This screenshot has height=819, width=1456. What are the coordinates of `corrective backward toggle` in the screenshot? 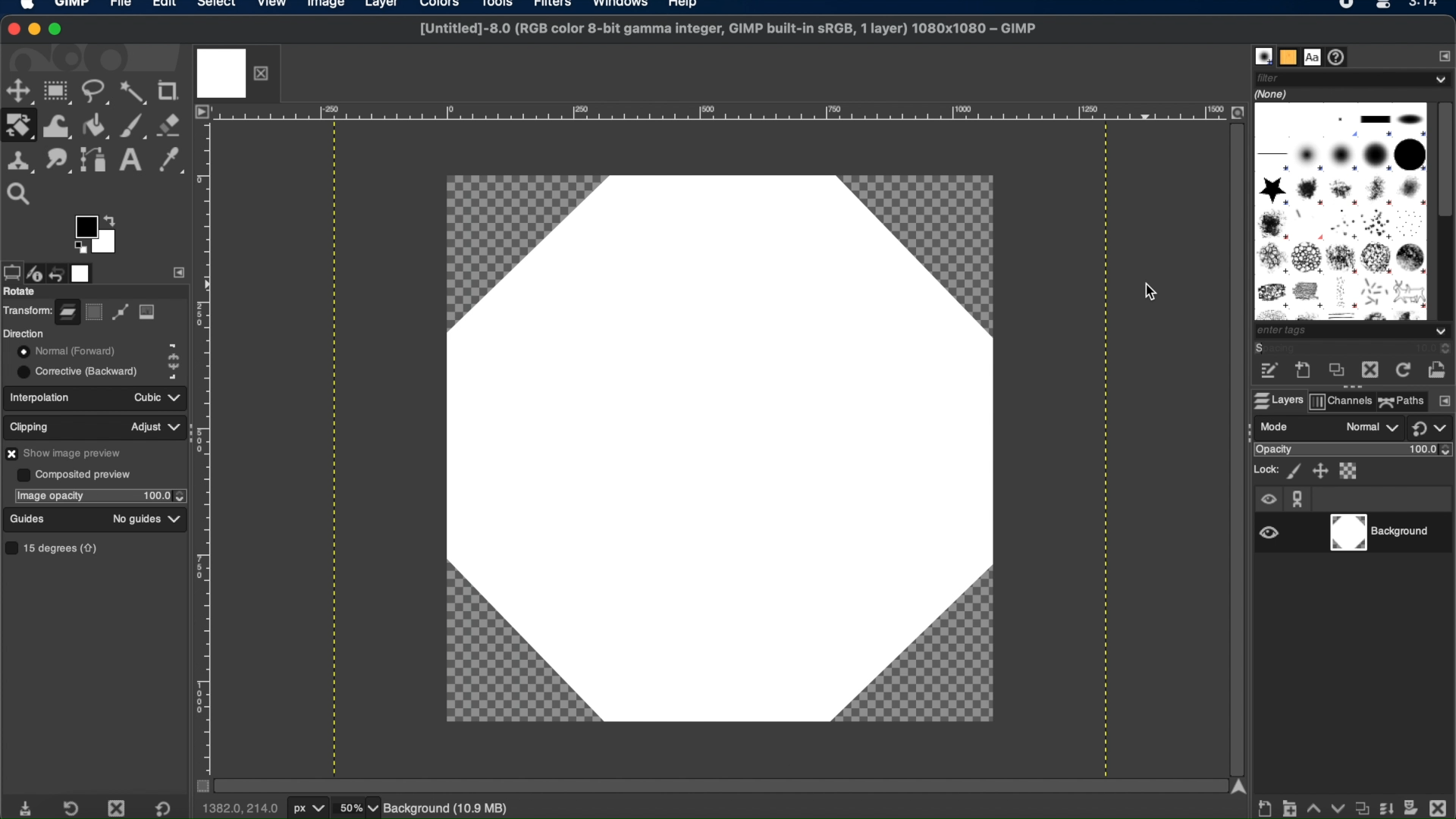 It's located at (79, 371).